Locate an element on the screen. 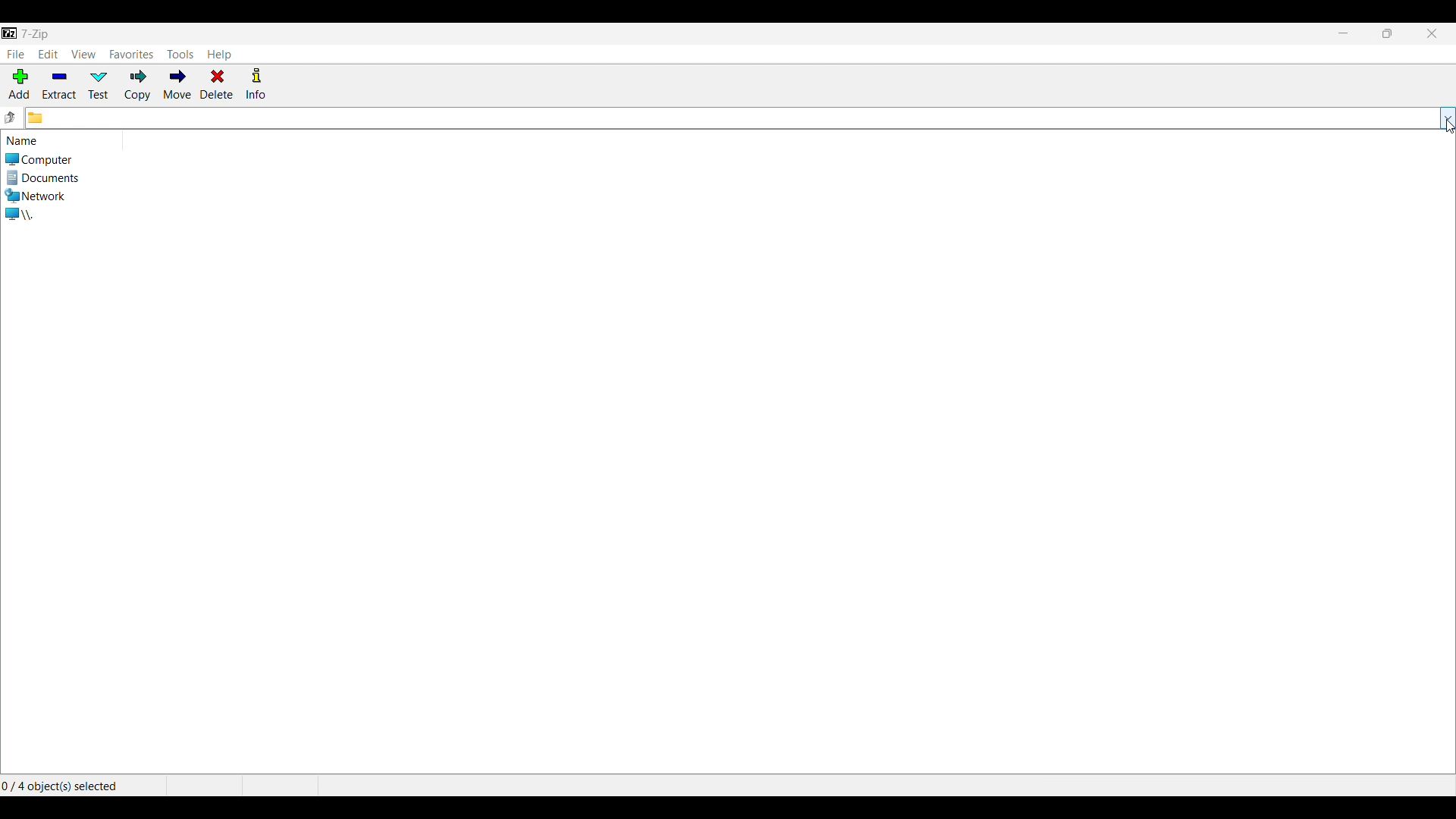 The width and height of the screenshot is (1456, 819). List folder options  is located at coordinates (1448, 118).